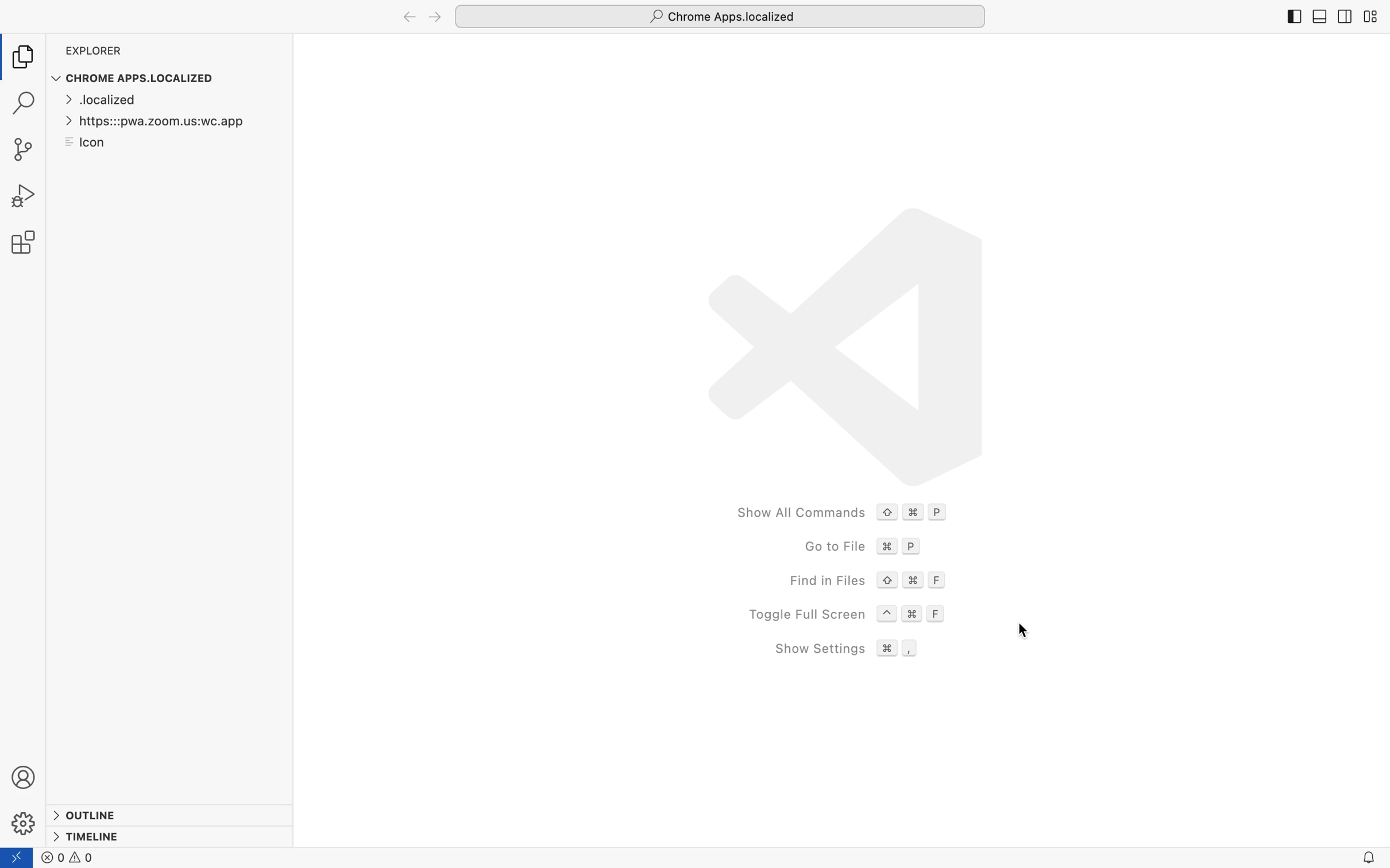  Describe the element at coordinates (74, 858) in the screenshot. I see `warnings , cautions` at that location.